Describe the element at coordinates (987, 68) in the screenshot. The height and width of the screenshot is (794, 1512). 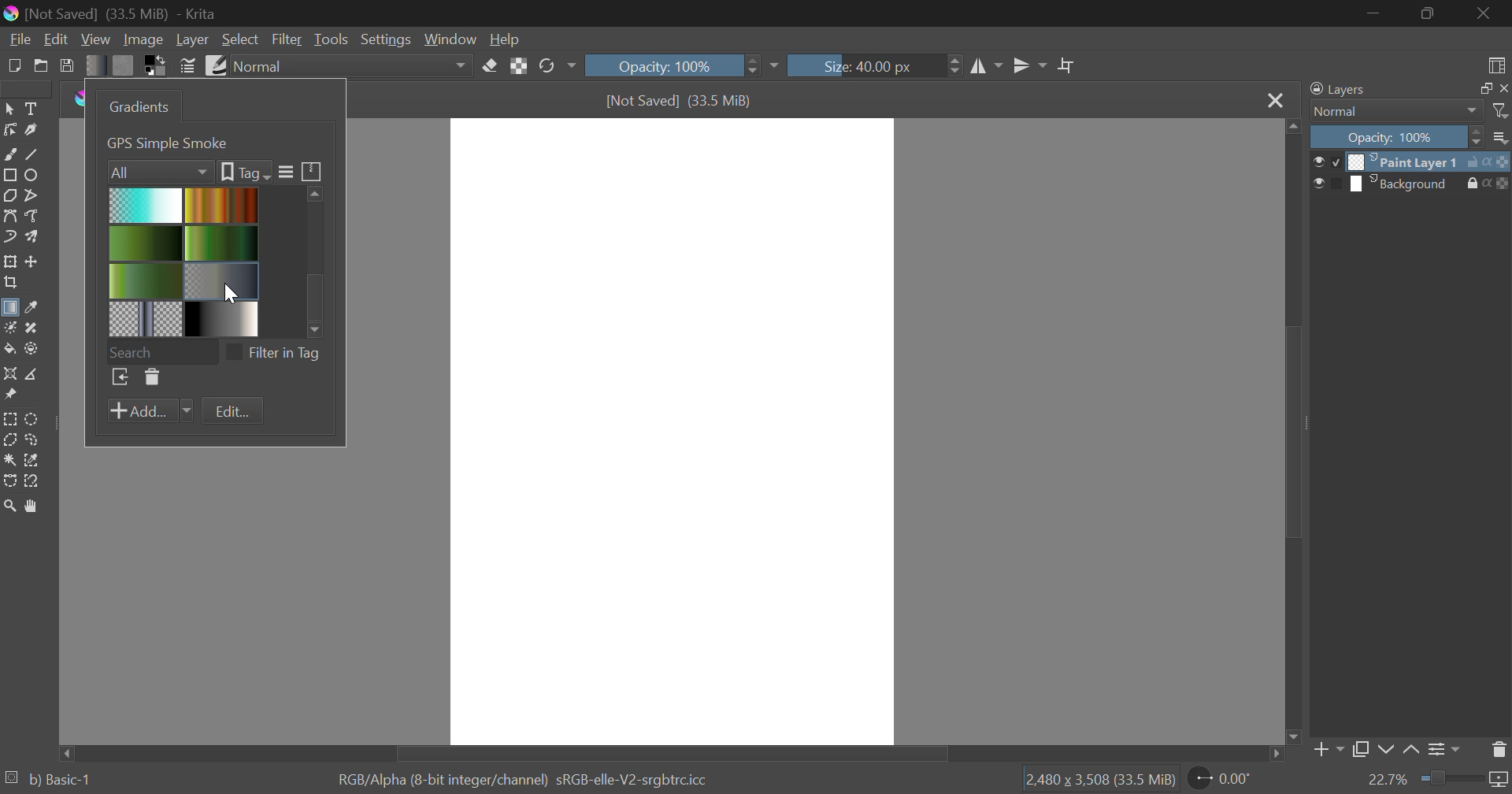
I see `Vertical Mirror Flip` at that location.